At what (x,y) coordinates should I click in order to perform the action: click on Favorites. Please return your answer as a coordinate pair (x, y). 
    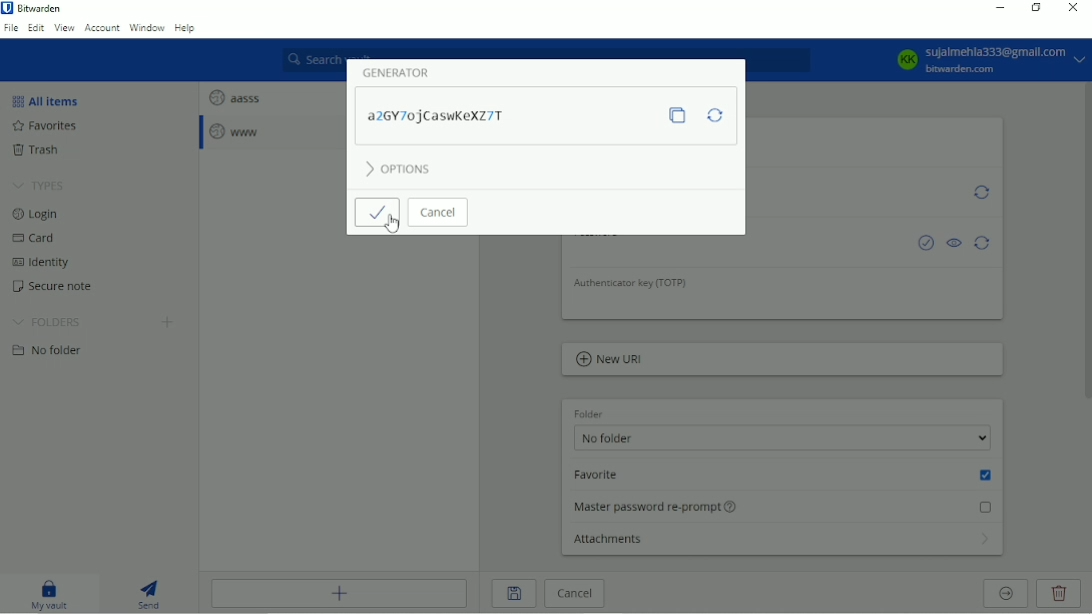
    Looking at the image, I should click on (49, 127).